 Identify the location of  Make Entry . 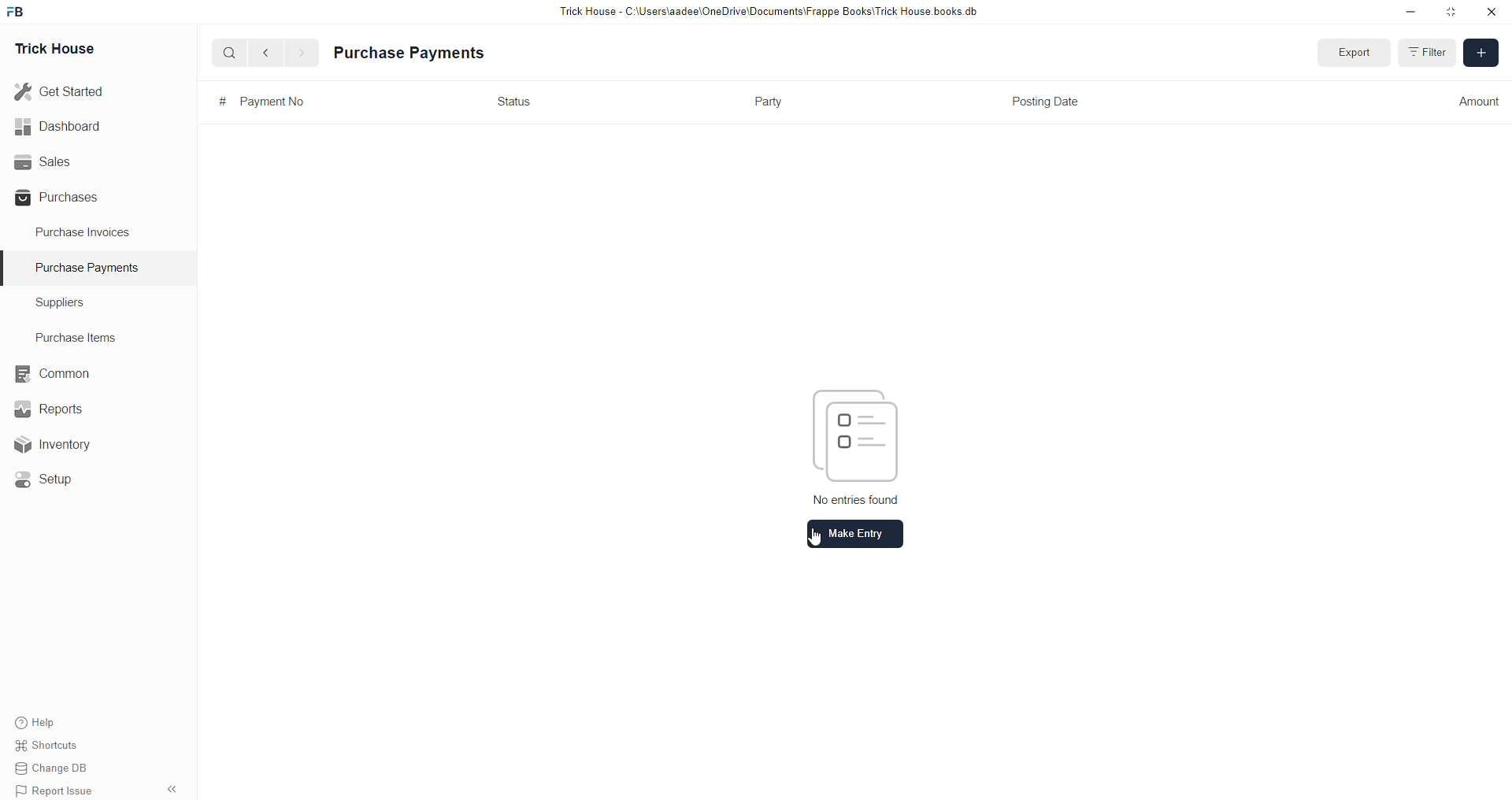
(857, 534).